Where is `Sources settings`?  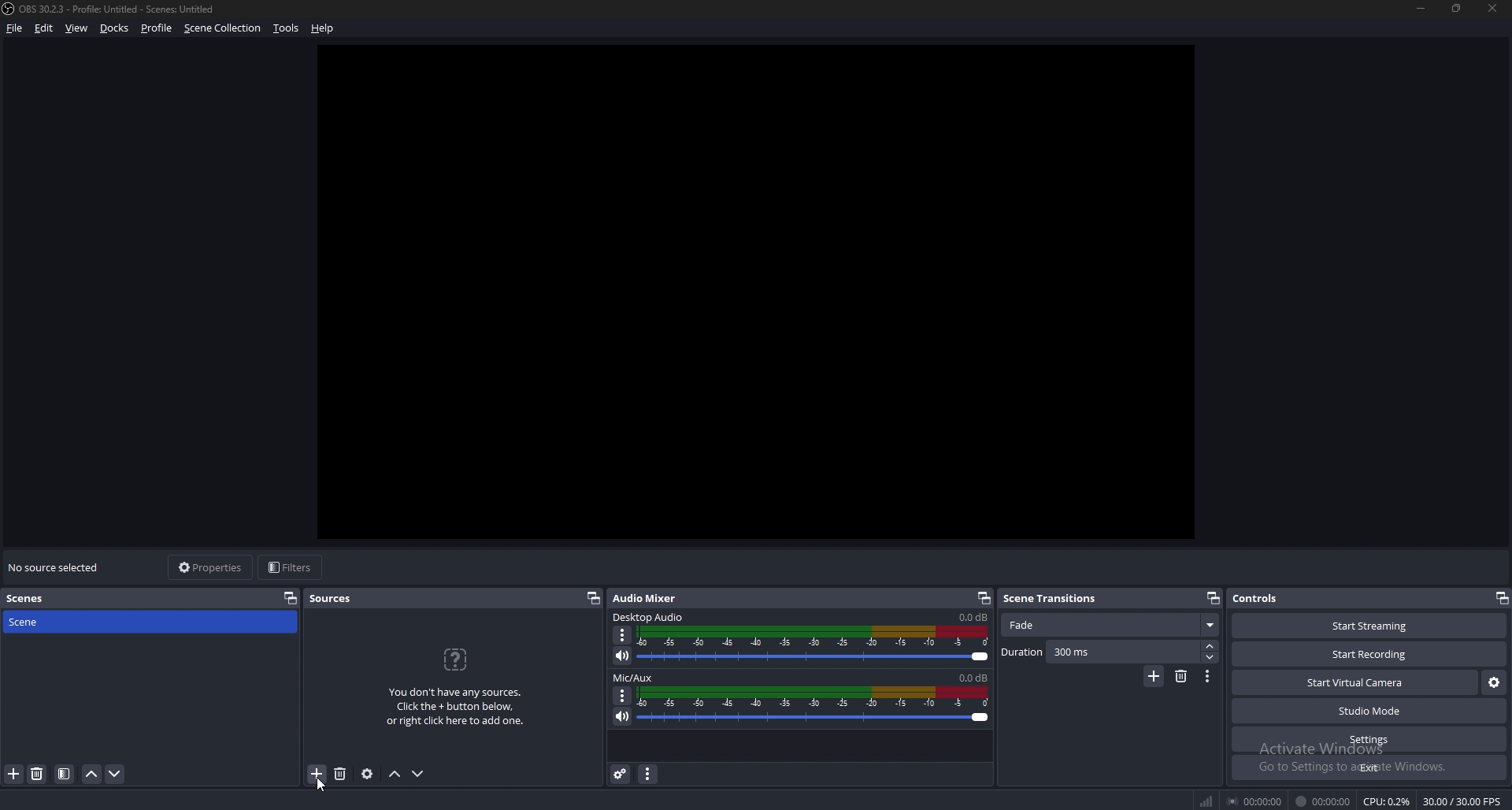 Sources settings is located at coordinates (369, 774).